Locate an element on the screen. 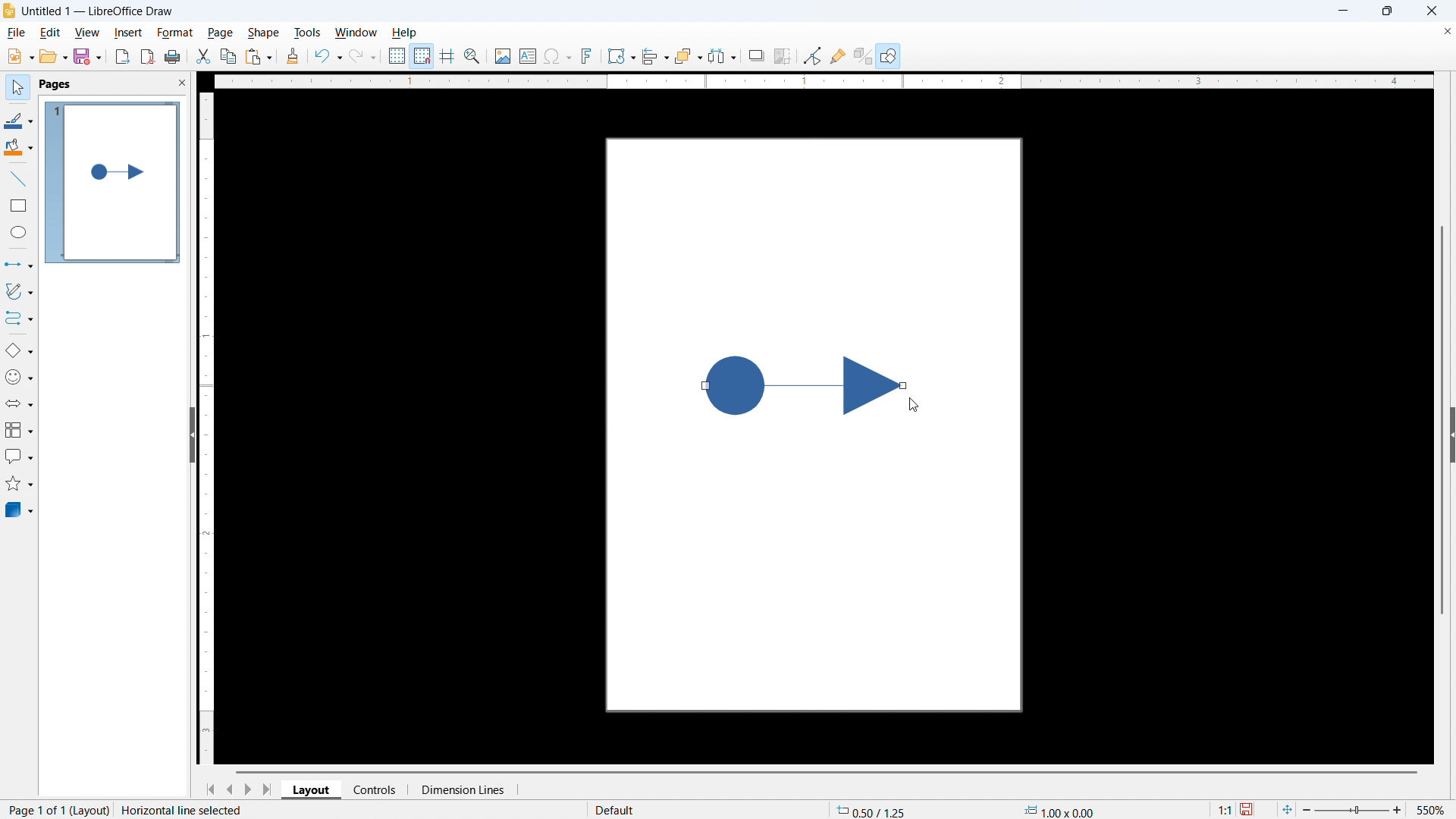 Image resolution: width=1456 pixels, height=819 pixels. Horizontal ruler  is located at coordinates (823, 81).